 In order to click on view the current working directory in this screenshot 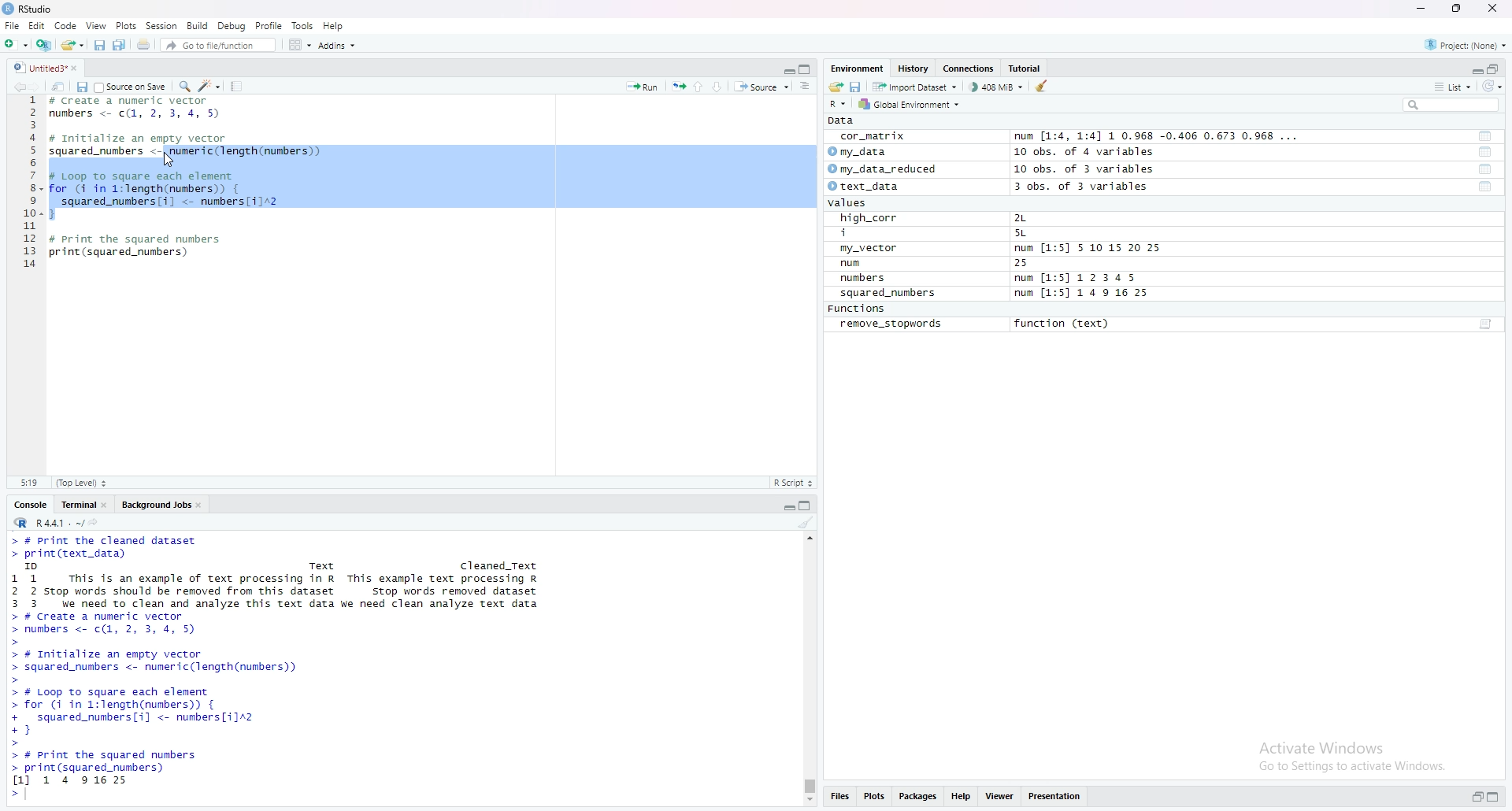, I will do `click(94, 521)`.